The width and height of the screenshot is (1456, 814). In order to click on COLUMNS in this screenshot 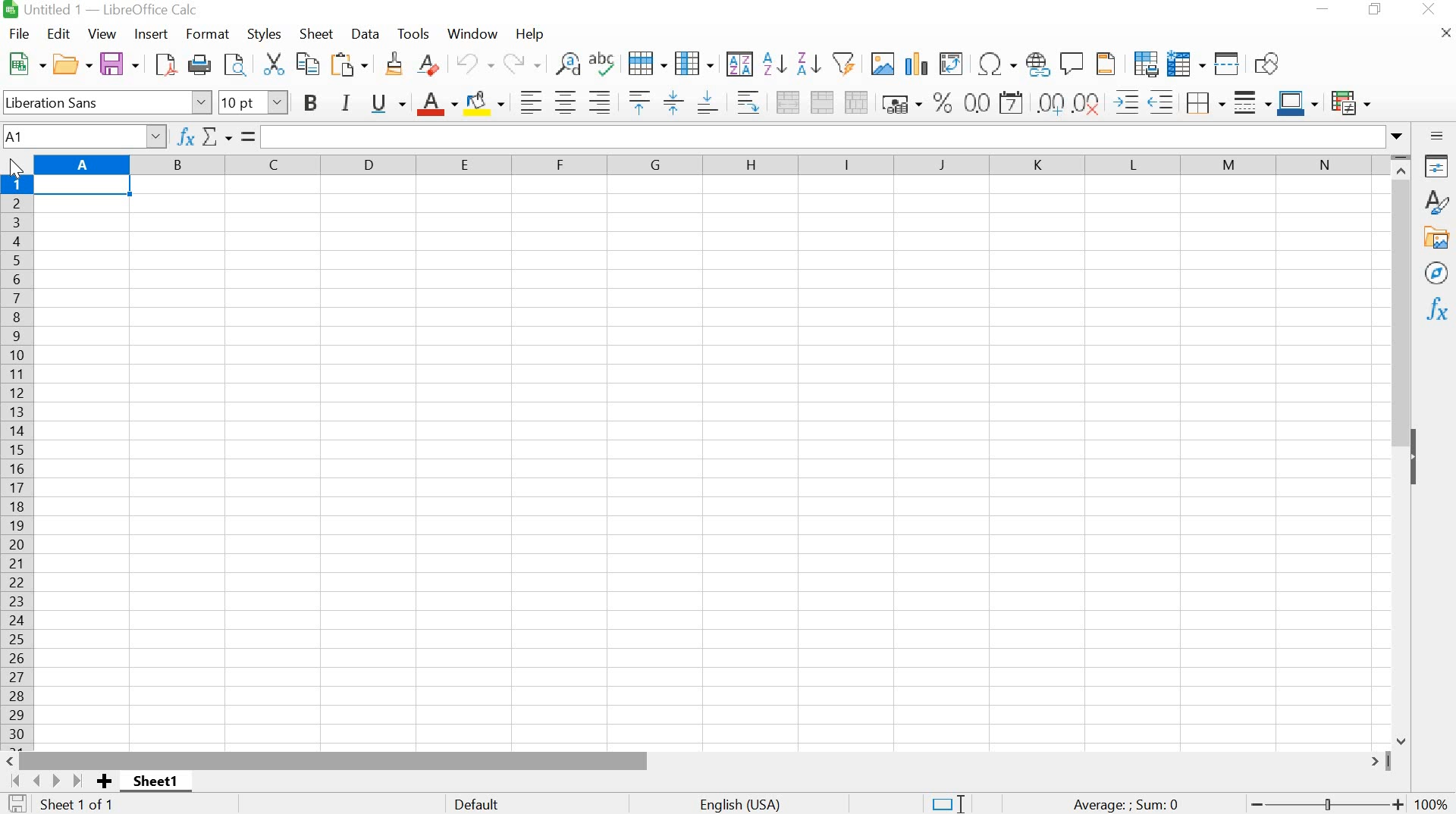, I will do `click(706, 164)`.